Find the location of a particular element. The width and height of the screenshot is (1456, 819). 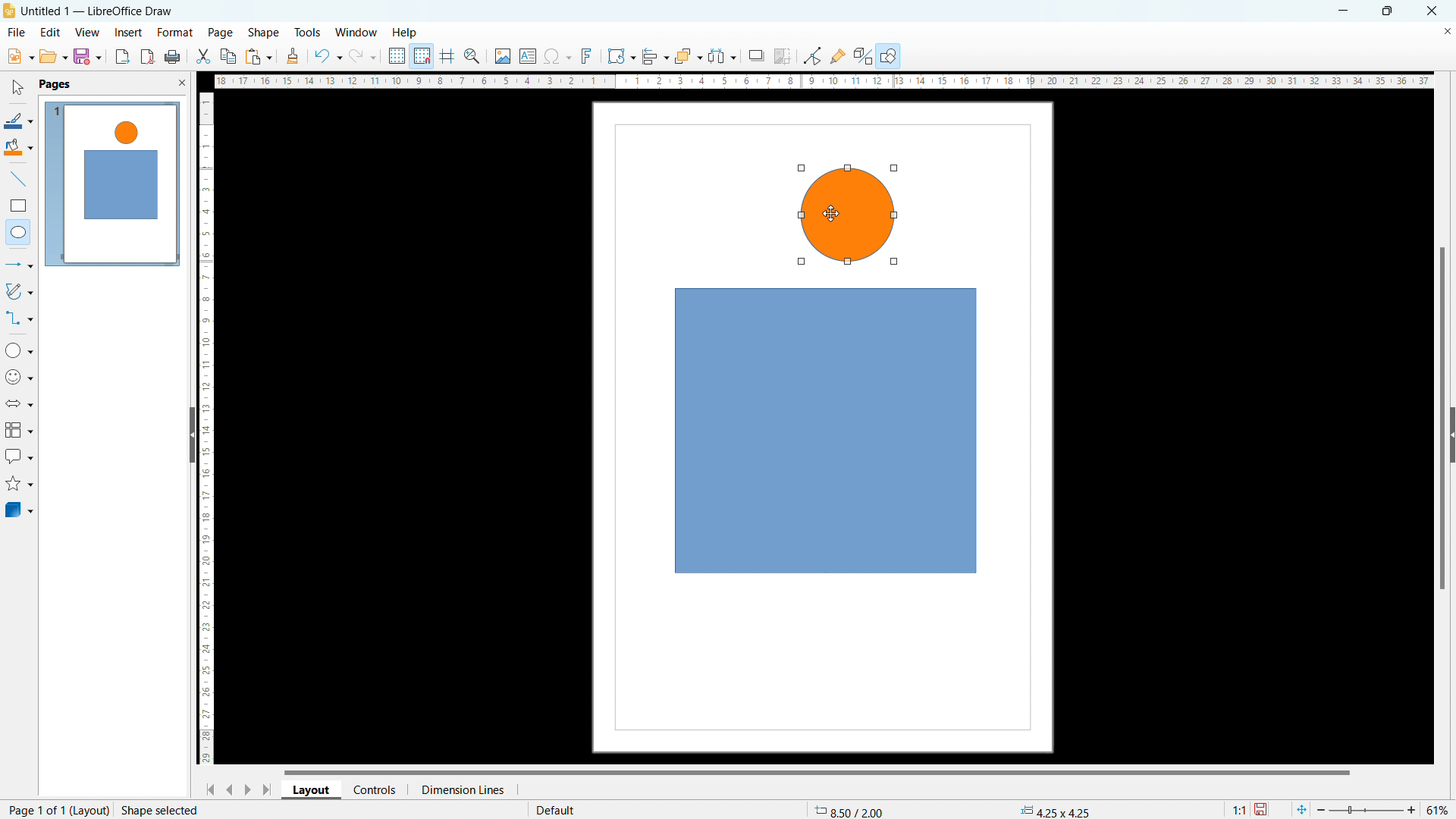

object 1 is located at coordinates (826, 431).